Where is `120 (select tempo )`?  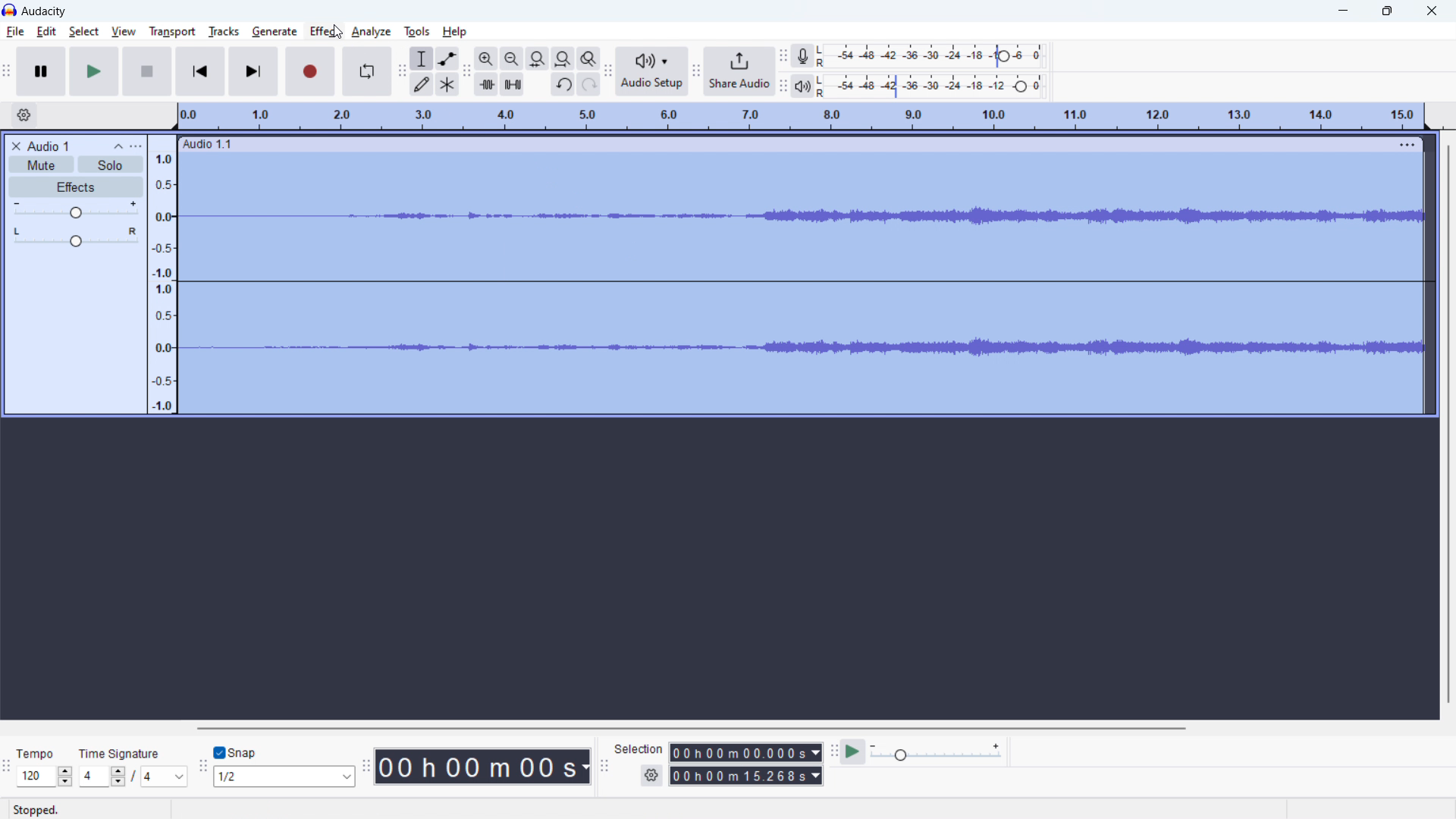 120 (select tempo ) is located at coordinates (44, 777).